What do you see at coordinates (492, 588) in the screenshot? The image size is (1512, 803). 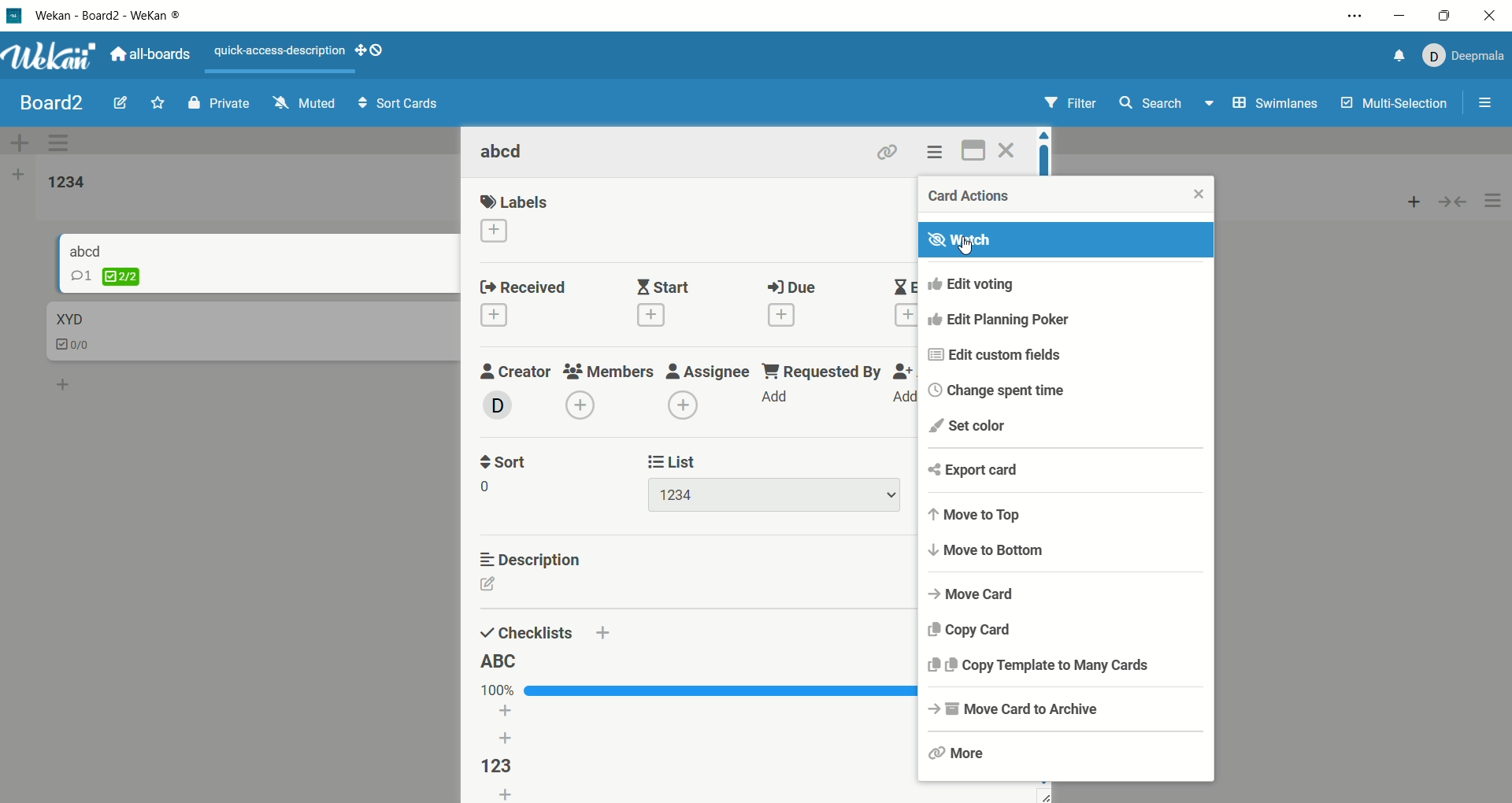 I see `edit` at bounding box center [492, 588].